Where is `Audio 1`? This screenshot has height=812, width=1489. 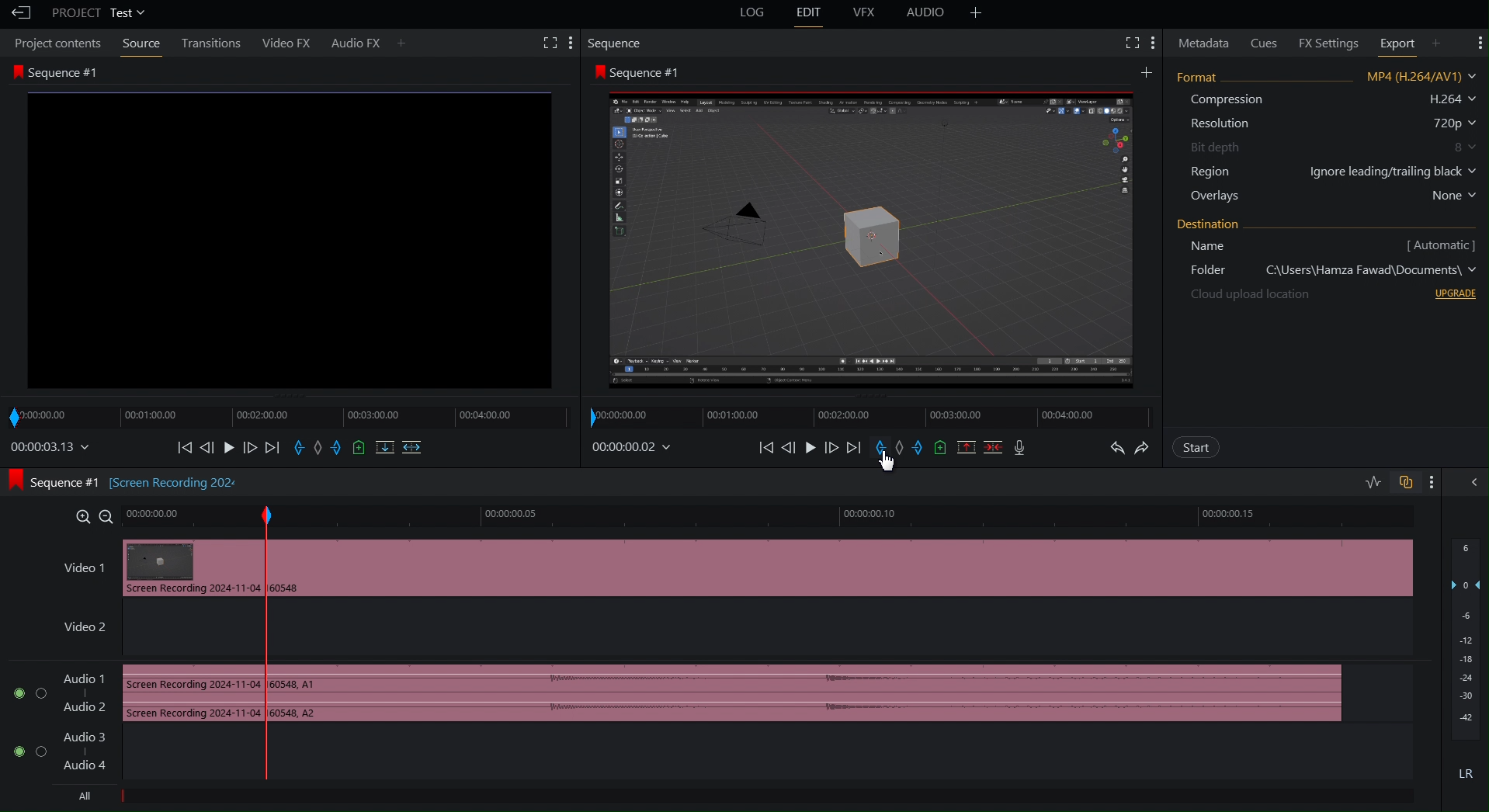 Audio 1 is located at coordinates (56, 692).